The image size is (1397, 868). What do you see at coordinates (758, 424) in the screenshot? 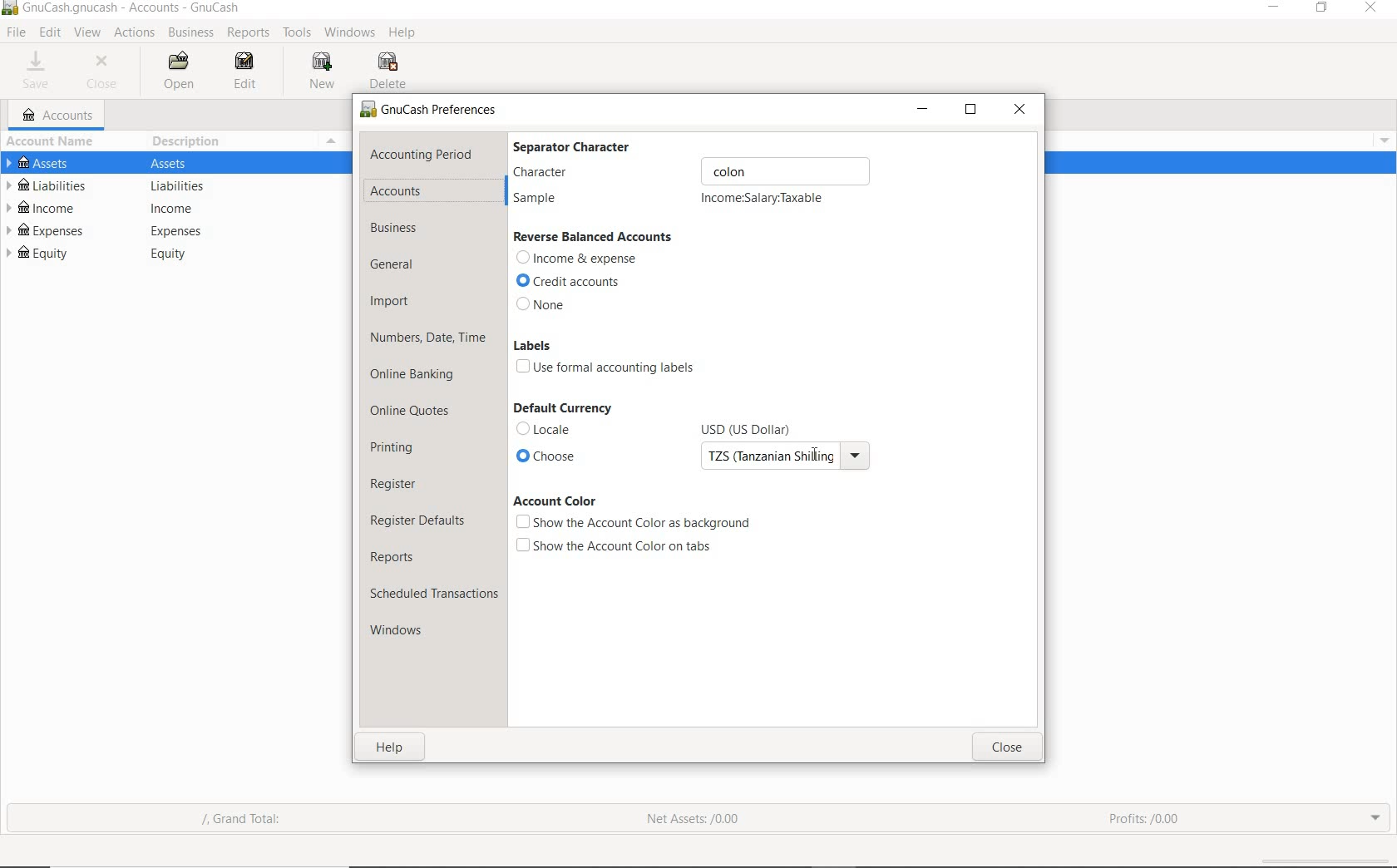
I see `` at bounding box center [758, 424].